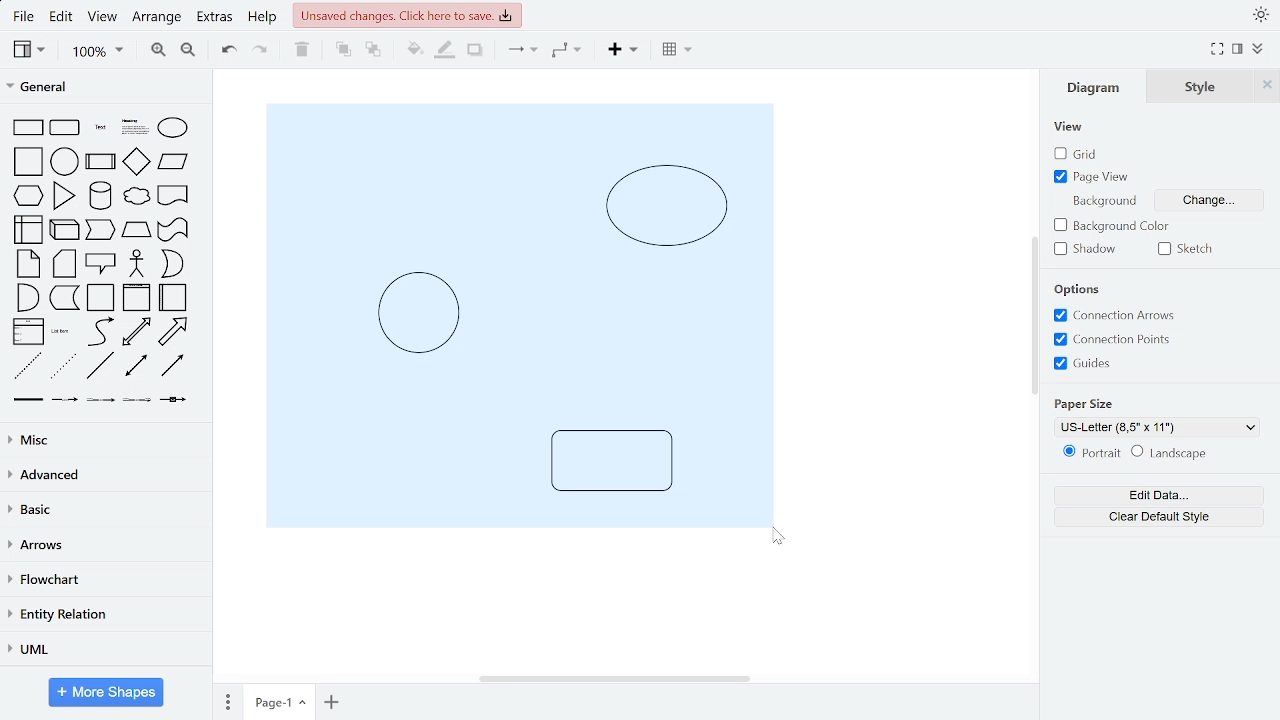  I want to click on fill line, so click(446, 51).